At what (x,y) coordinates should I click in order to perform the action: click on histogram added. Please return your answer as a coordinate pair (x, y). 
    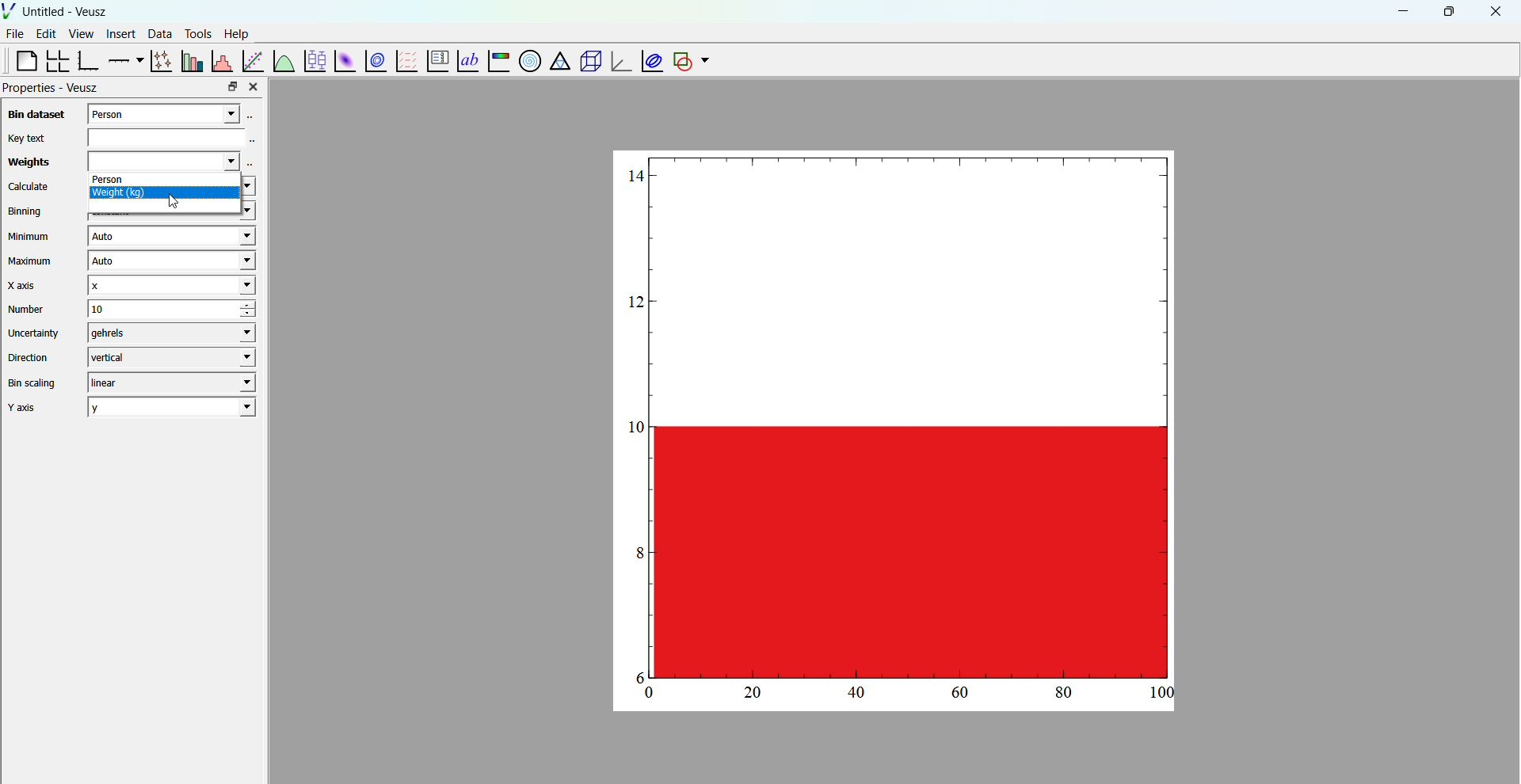
    Looking at the image, I should click on (898, 416).